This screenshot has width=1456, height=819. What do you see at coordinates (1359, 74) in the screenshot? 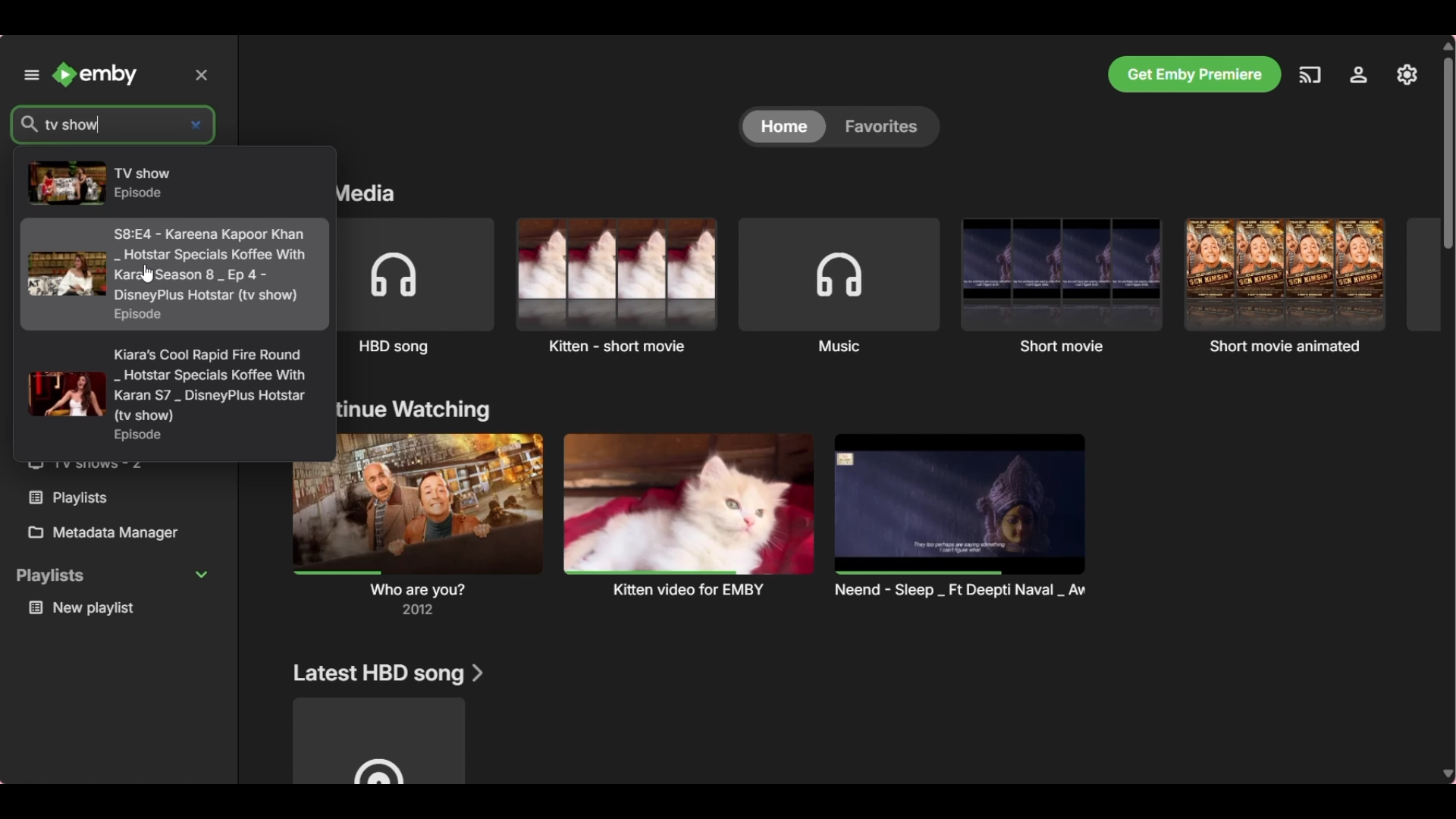
I see `Settings` at bounding box center [1359, 74].